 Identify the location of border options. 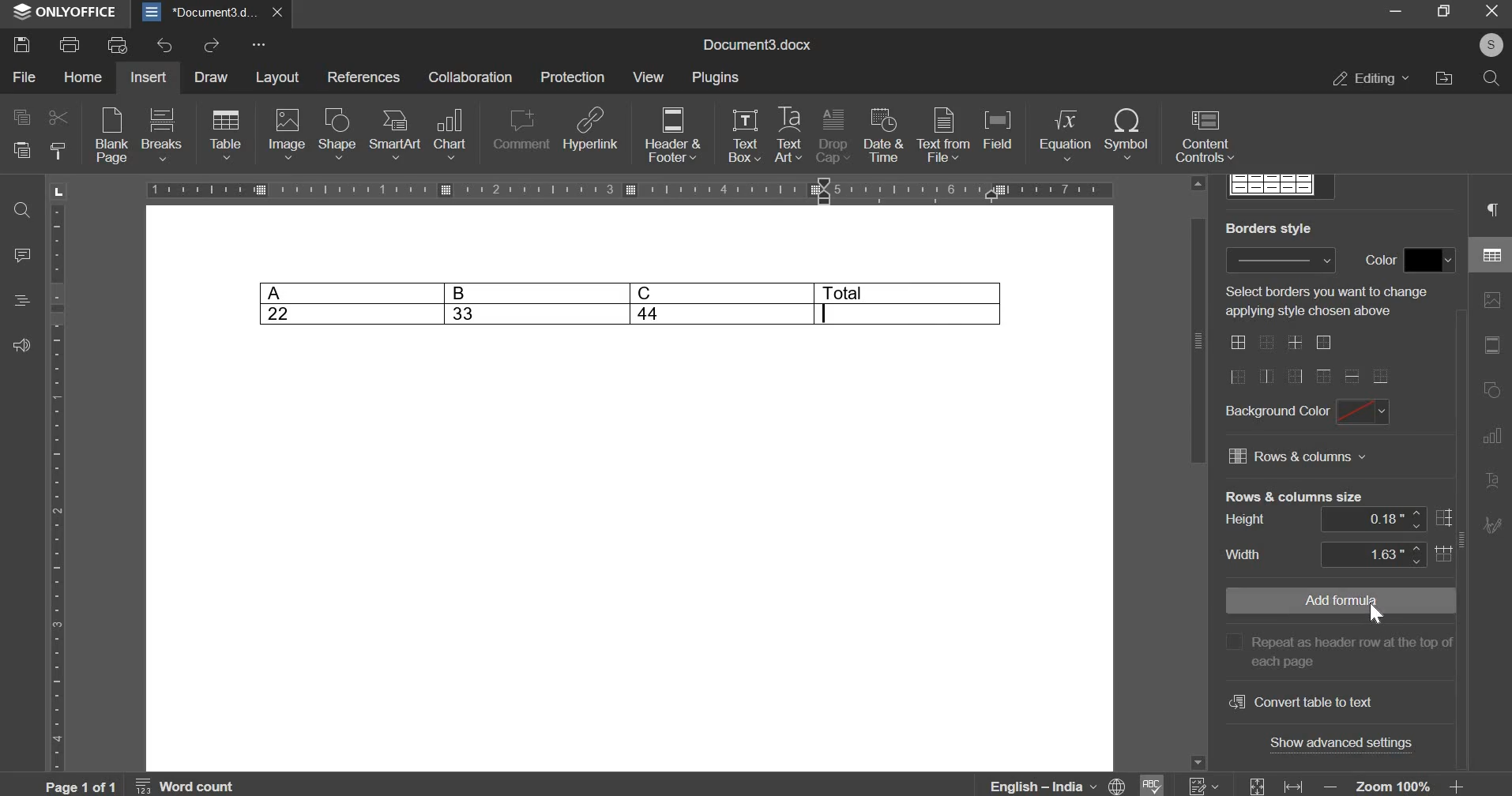
(1309, 360).